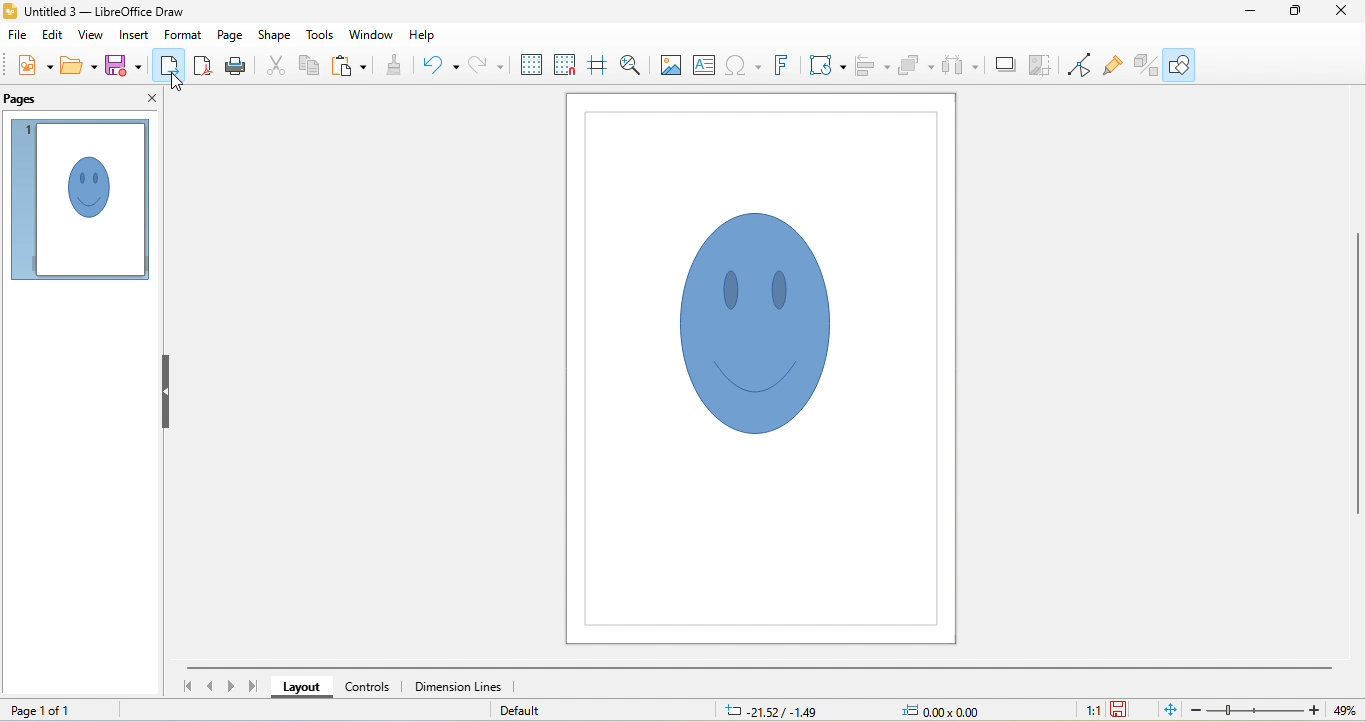 The height and width of the screenshot is (722, 1366). I want to click on minimize, so click(1251, 11).